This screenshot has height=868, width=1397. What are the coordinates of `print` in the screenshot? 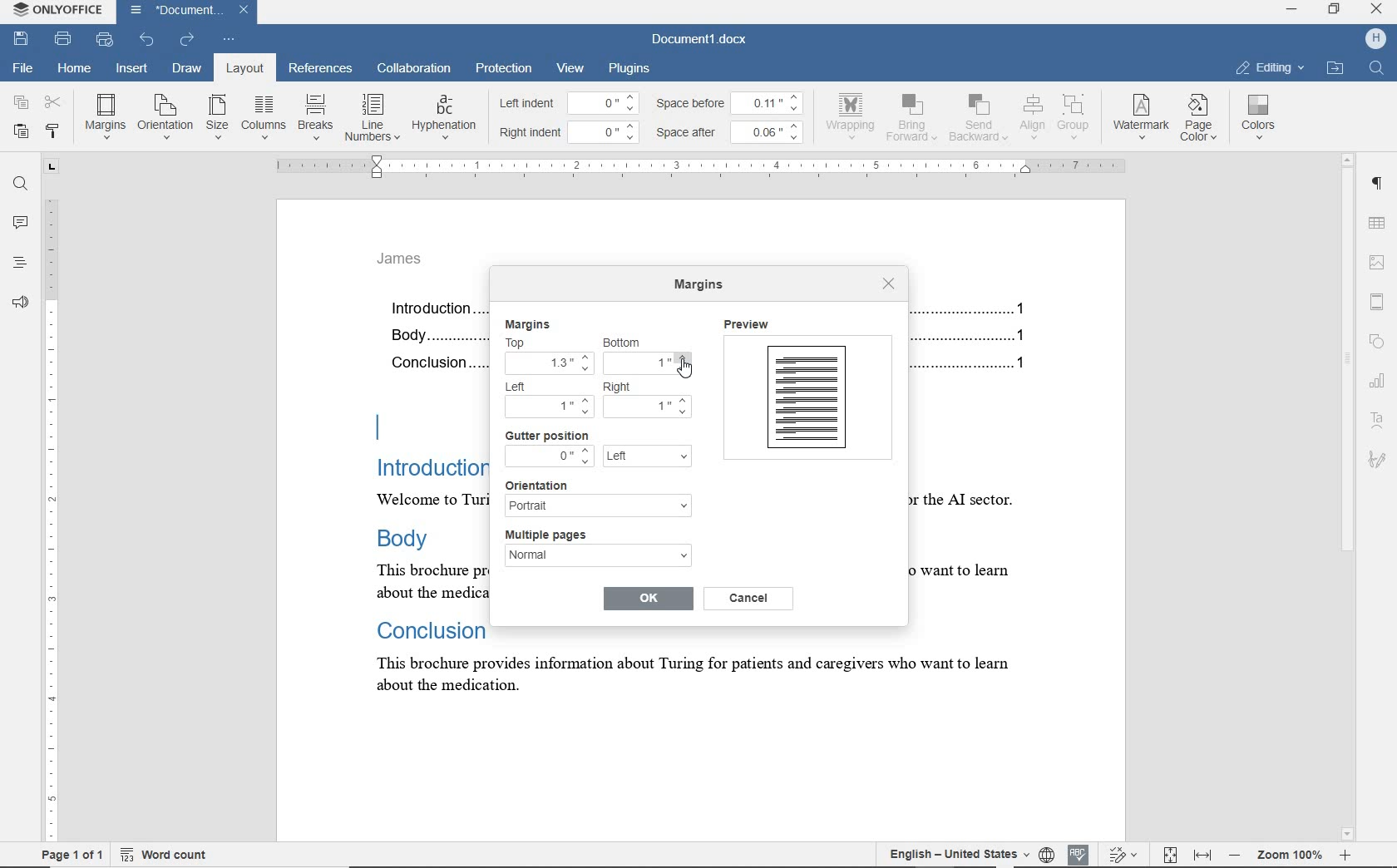 It's located at (63, 38).